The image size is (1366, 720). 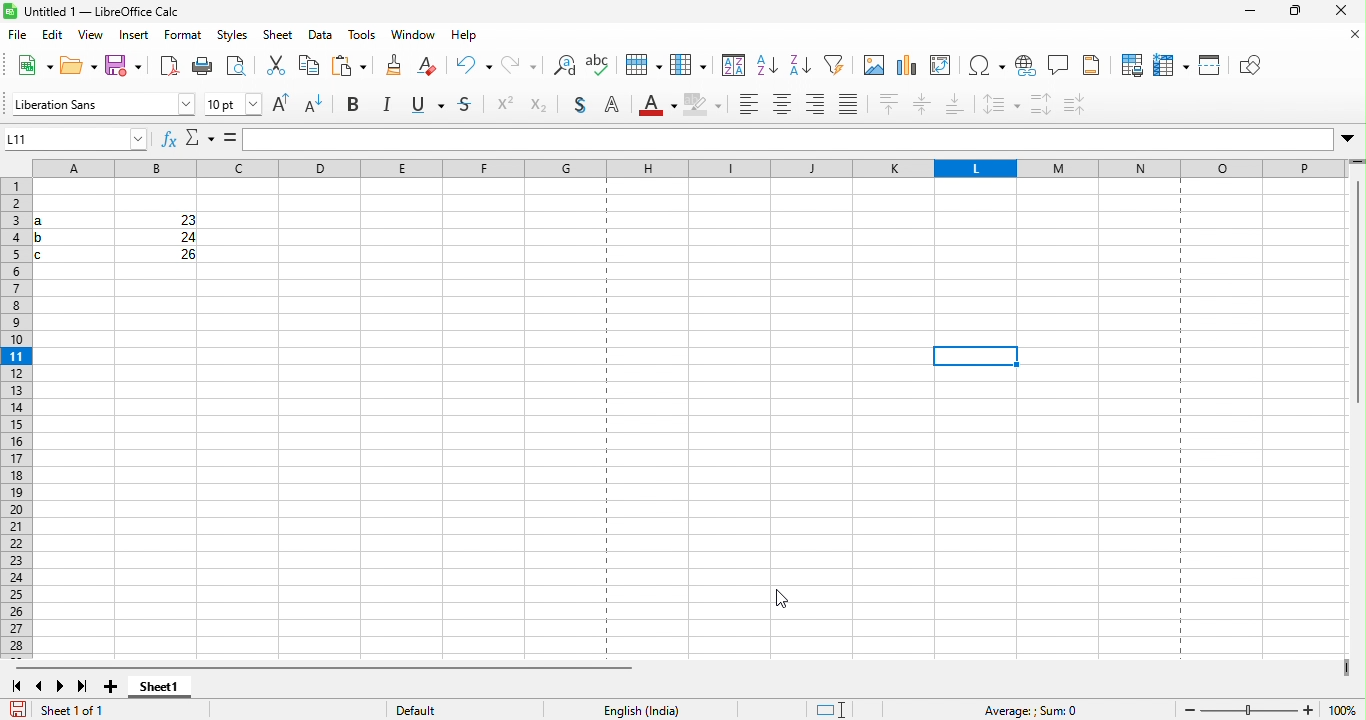 I want to click on close, so click(x=1343, y=12).